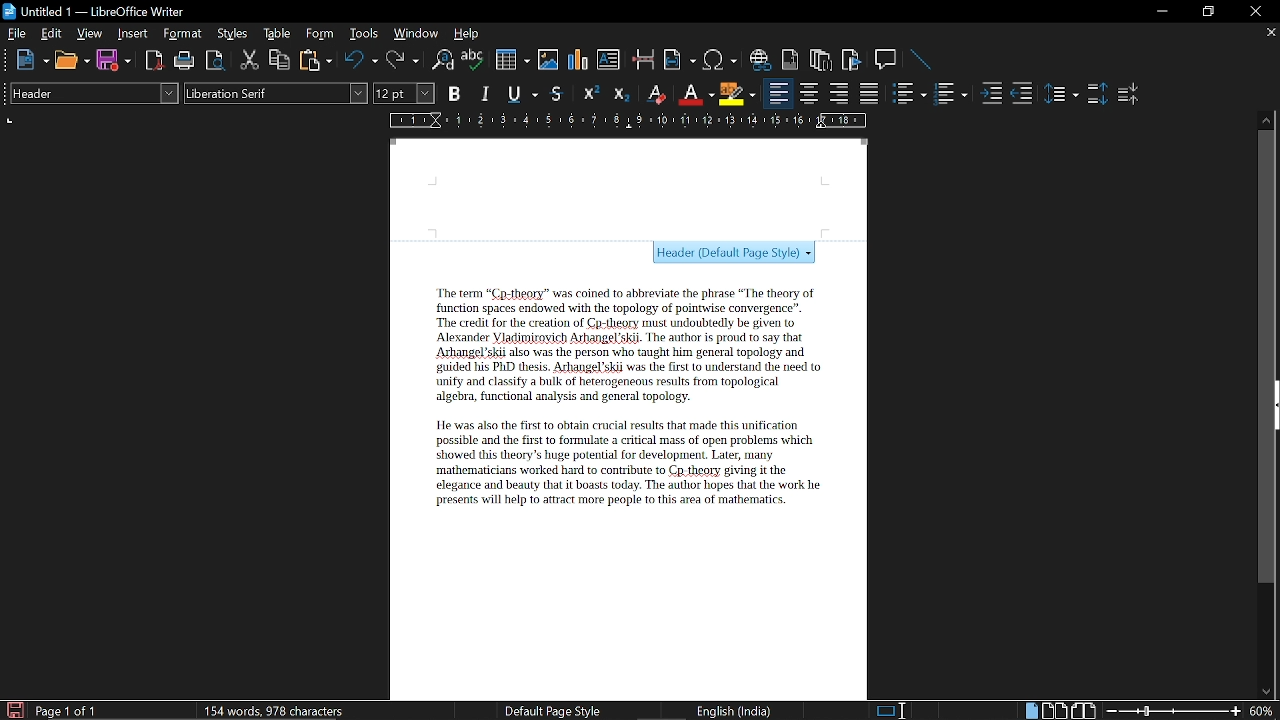  What do you see at coordinates (314, 59) in the screenshot?
I see `Paste` at bounding box center [314, 59].